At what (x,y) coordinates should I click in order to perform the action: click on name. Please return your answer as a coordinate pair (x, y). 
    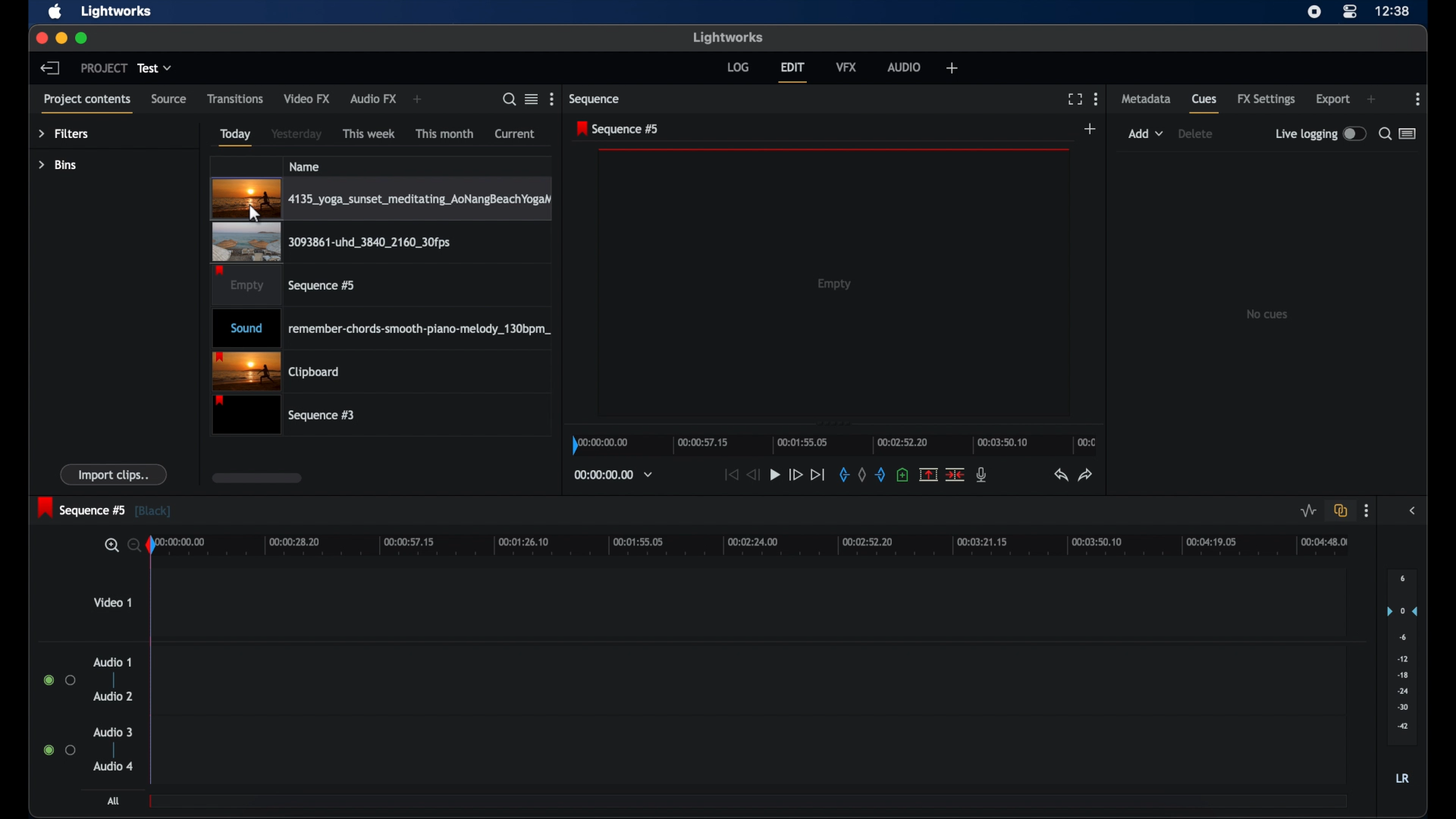
    Looking at the image, I should click on (305, 166).